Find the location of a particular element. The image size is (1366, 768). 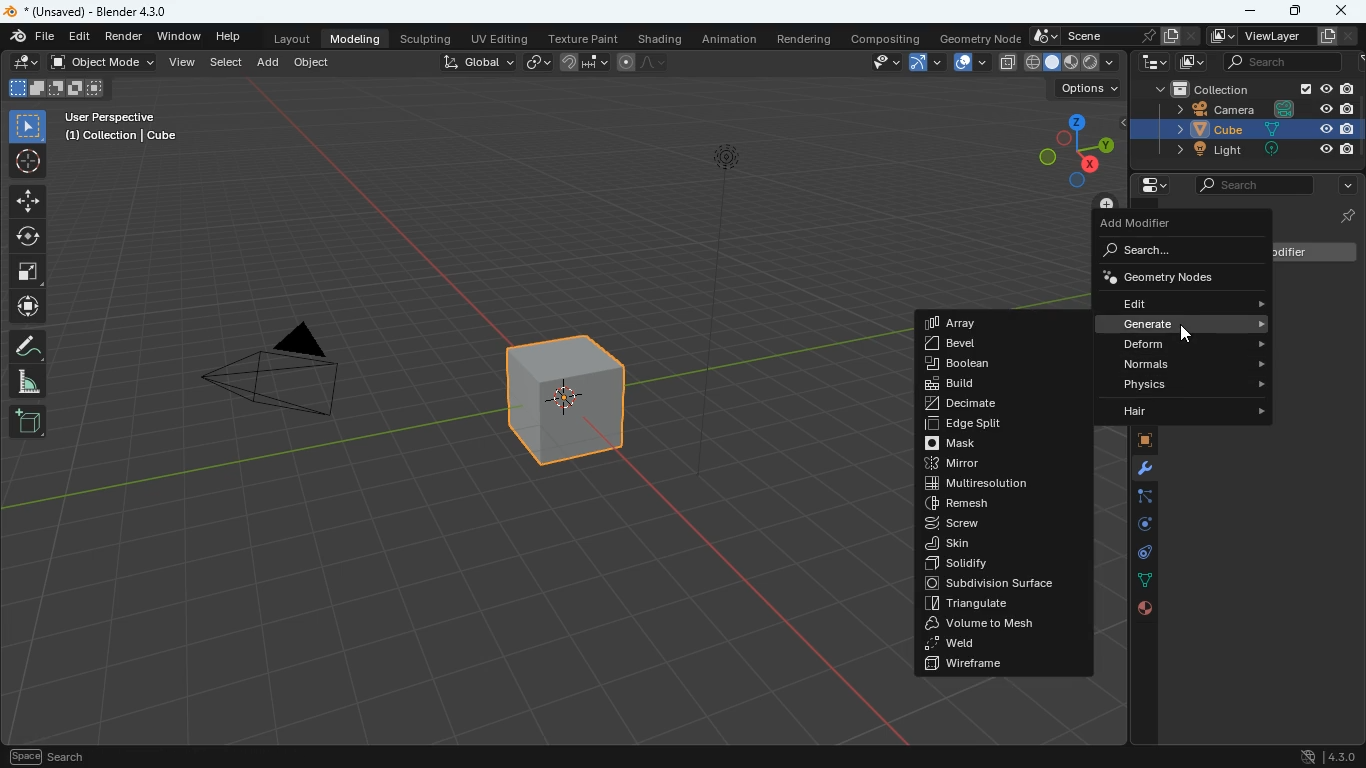

blender is located at coordinates (90, 12).